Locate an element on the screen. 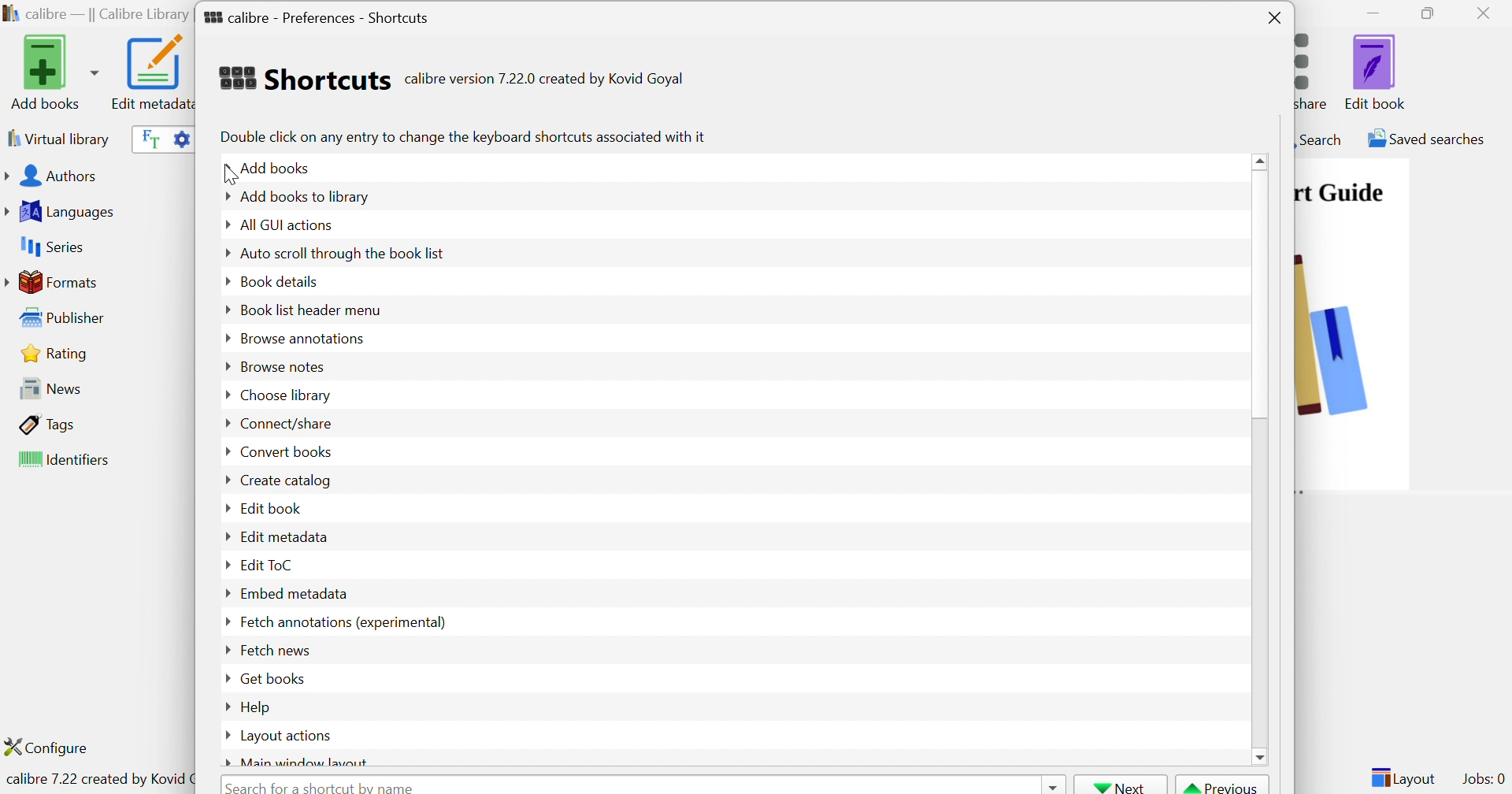 Image resolution: width=1512 pixels, height=794 pixels. Embed metadata is located at coordinates (294, 593).